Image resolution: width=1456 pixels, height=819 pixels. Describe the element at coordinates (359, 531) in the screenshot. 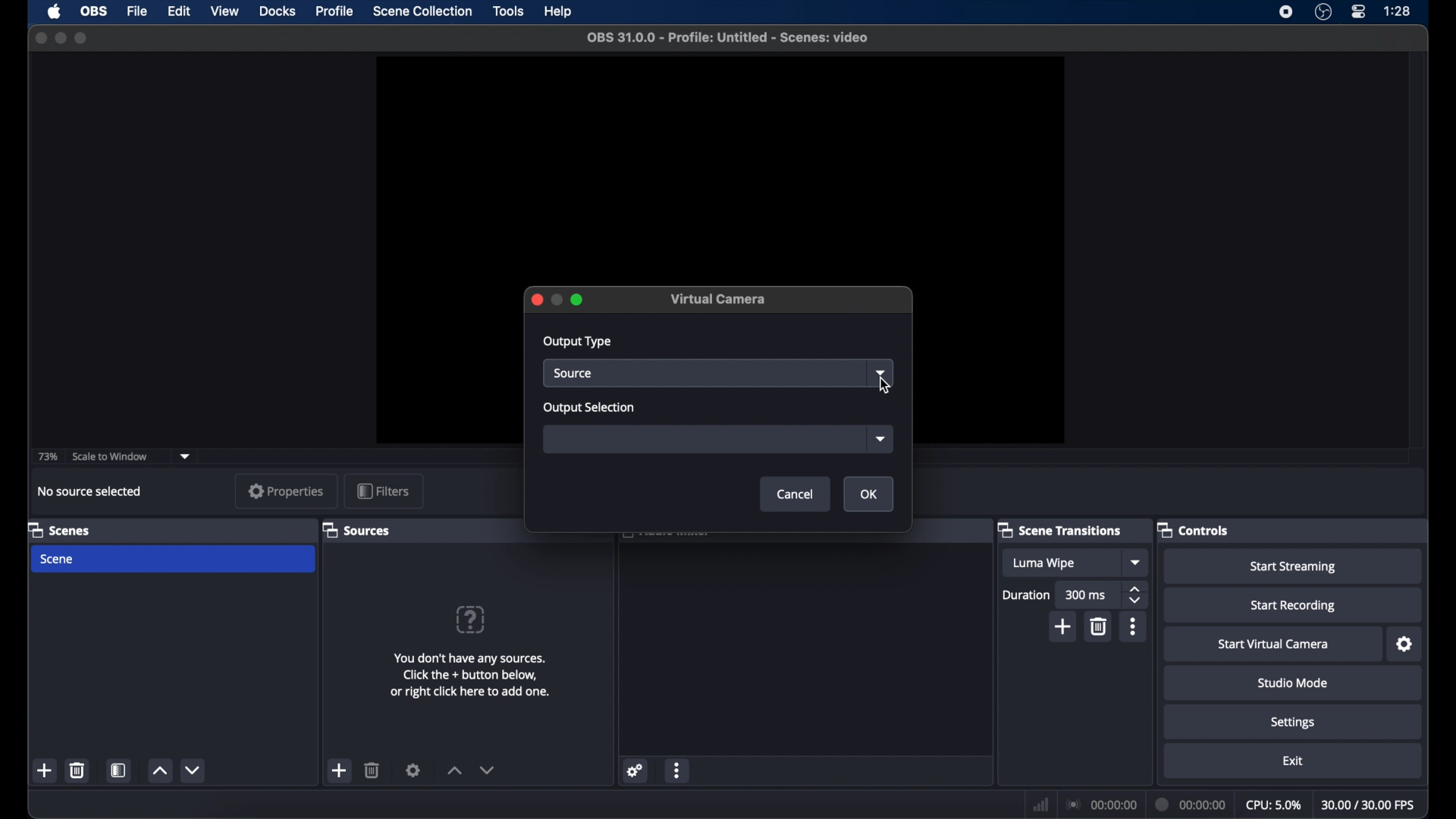

I see `sources` at that location.